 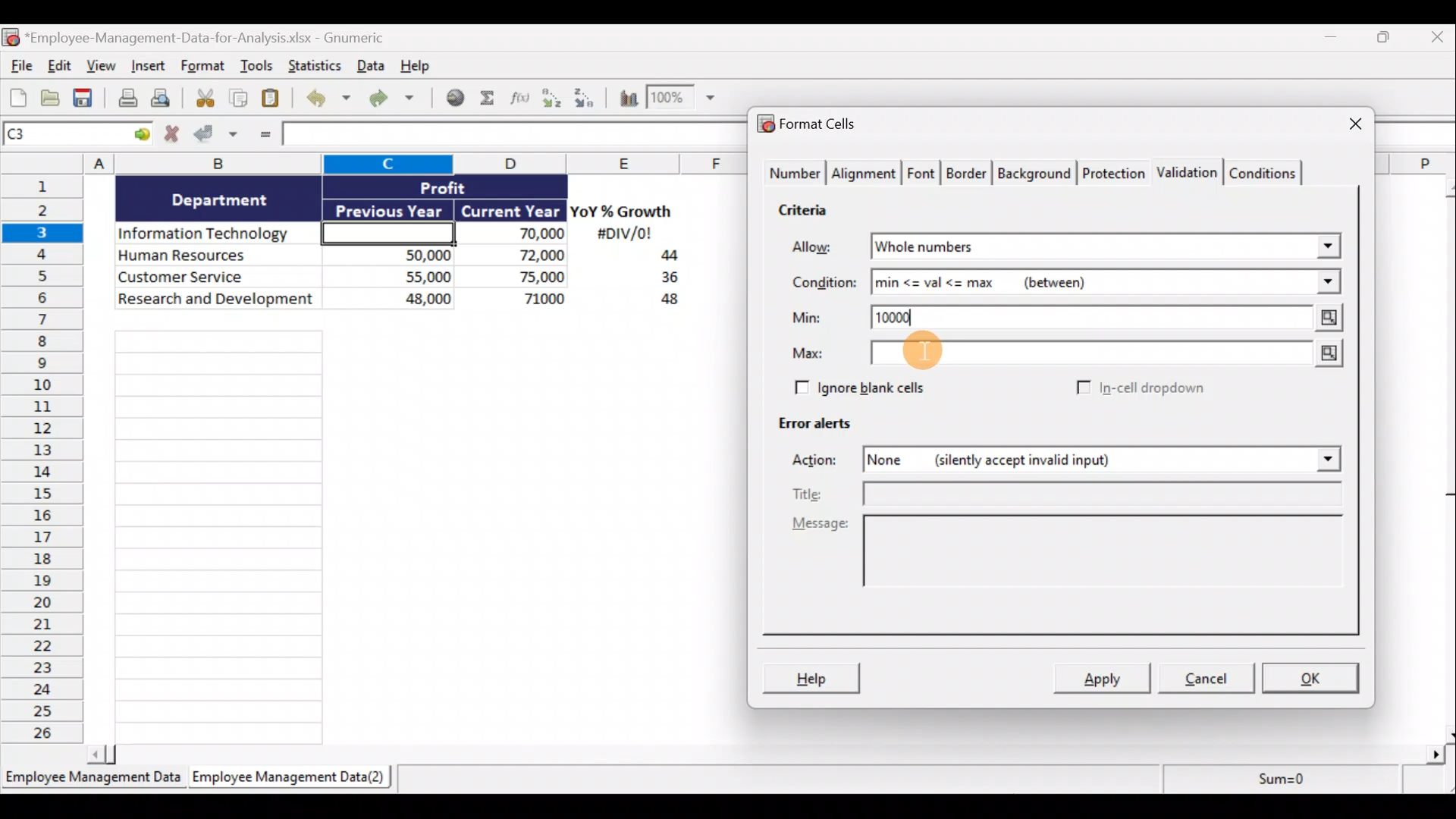 What do you see at coordinates (922, 171) in the screenshot?
I see `Font` at bounding box center [922, 171].